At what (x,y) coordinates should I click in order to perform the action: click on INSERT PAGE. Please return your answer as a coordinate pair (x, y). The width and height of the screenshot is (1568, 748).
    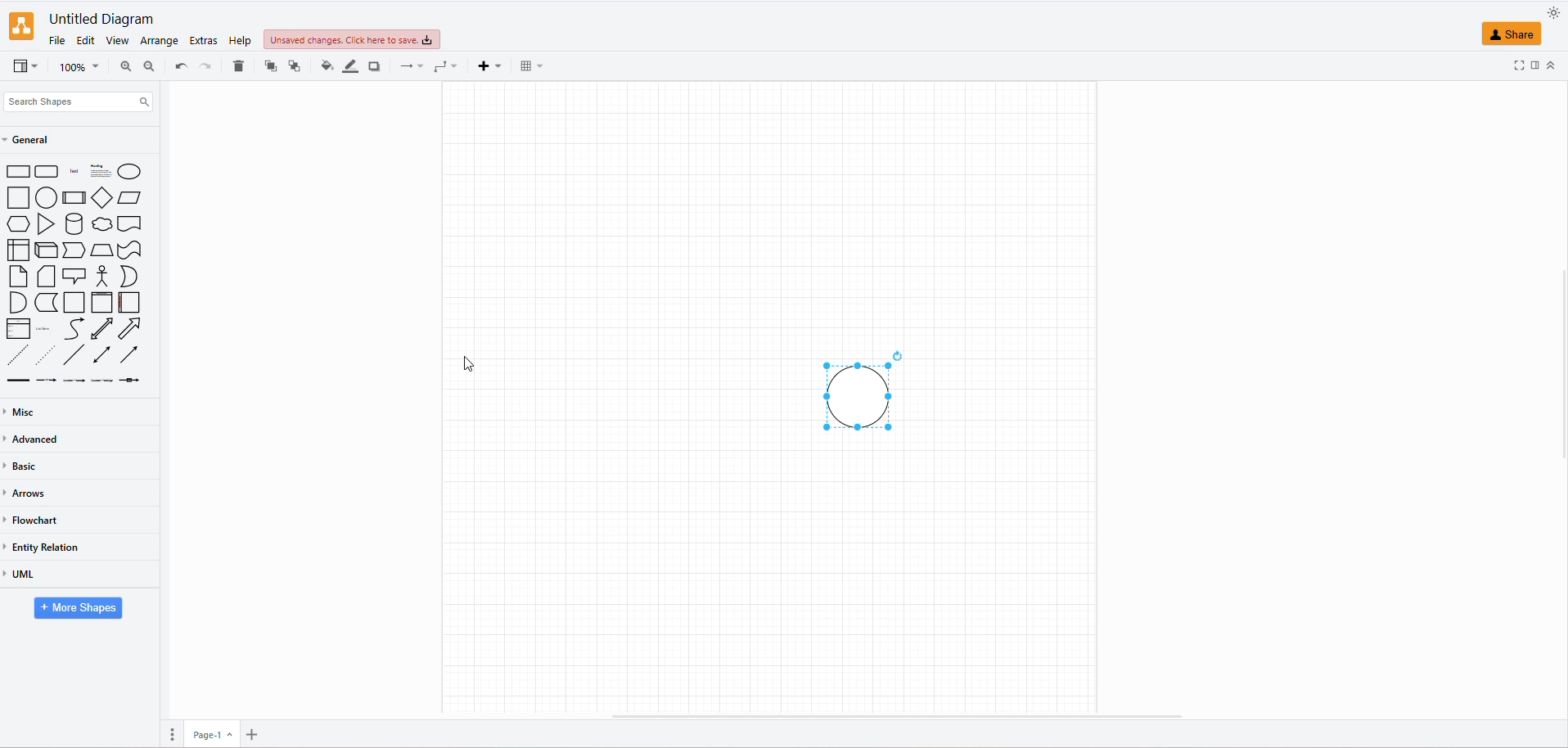
    Looking at the image, I should click on (257, 732).